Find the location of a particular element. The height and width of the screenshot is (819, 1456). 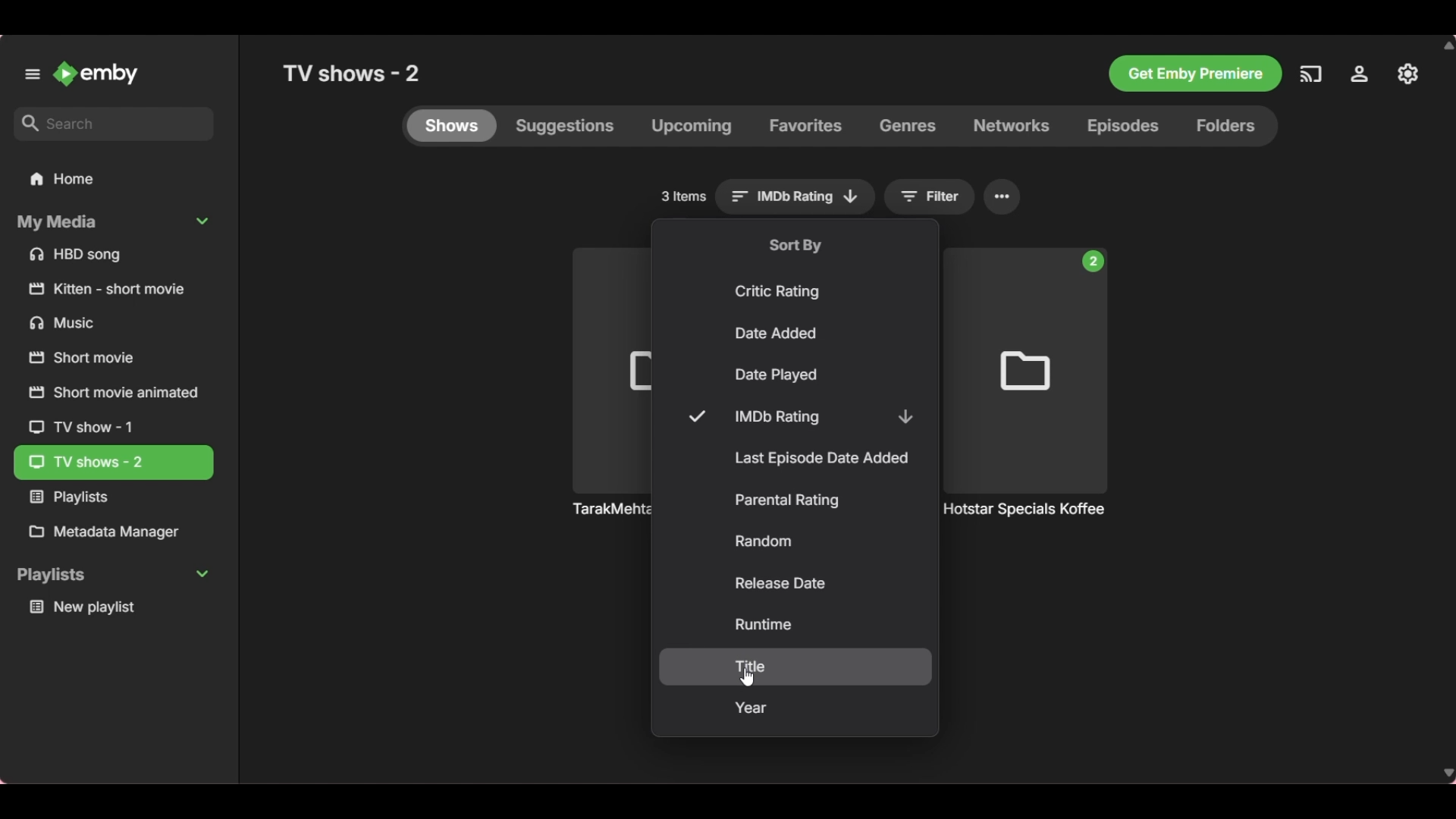

 is located at coordinates (1364, 74).